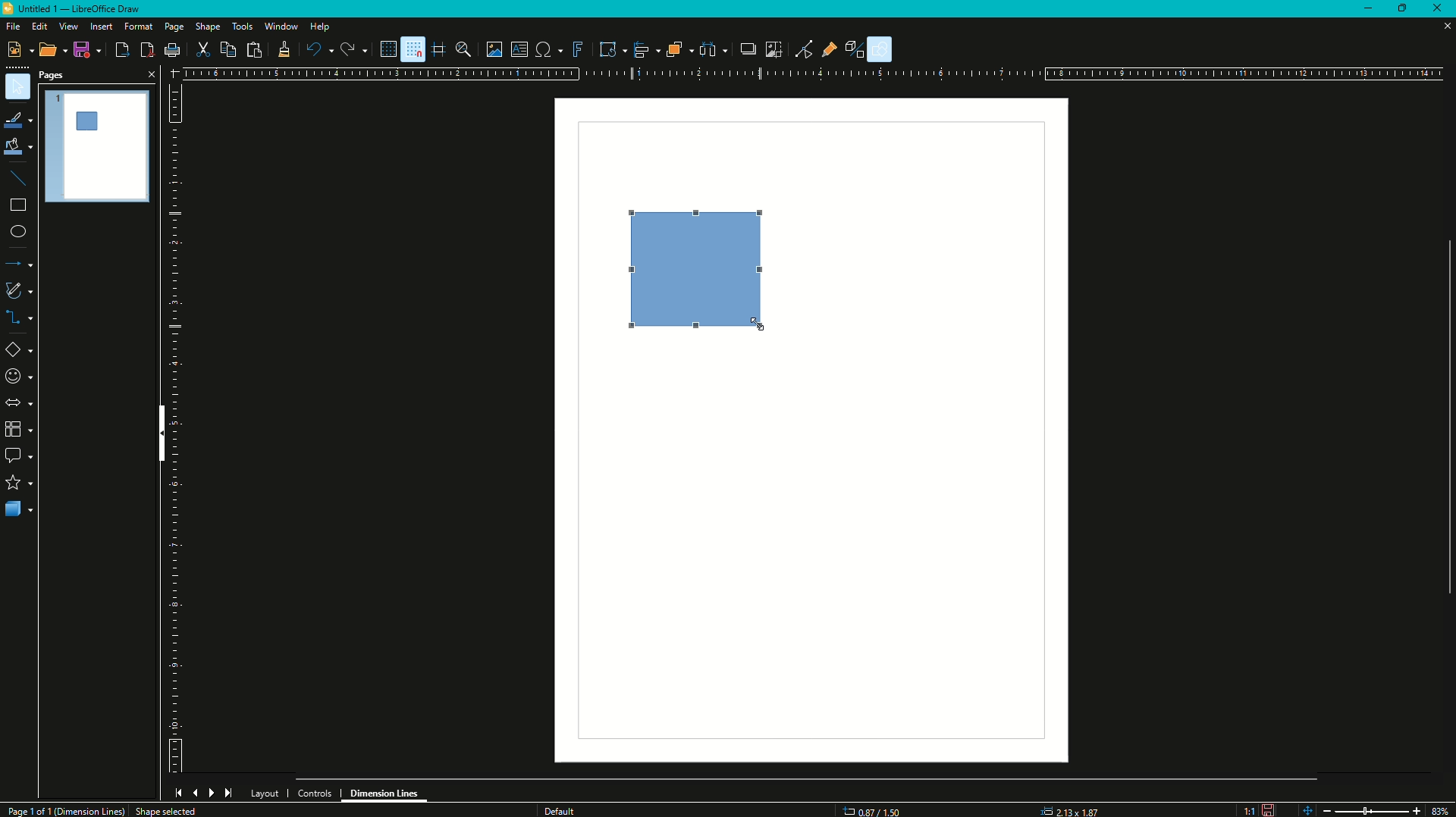  I want to click on Show Draw Functions, so click(882, 49).